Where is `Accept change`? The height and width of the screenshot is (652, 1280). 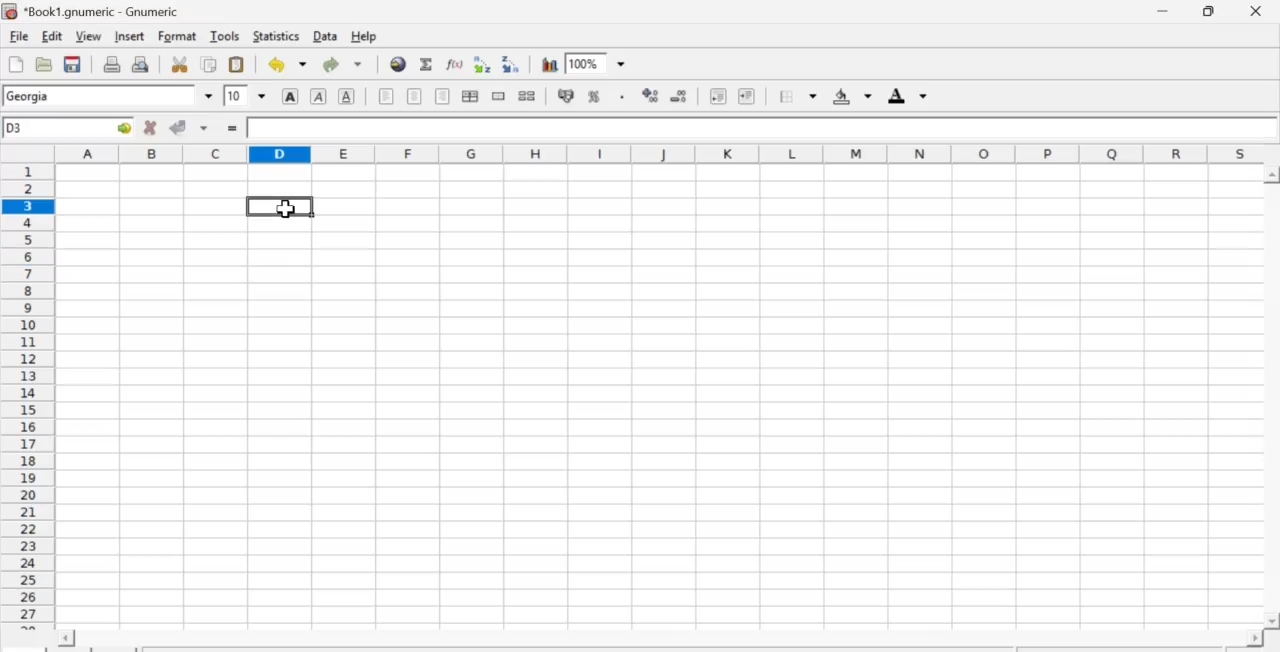 Accept change is located at coordinates (177, 127).